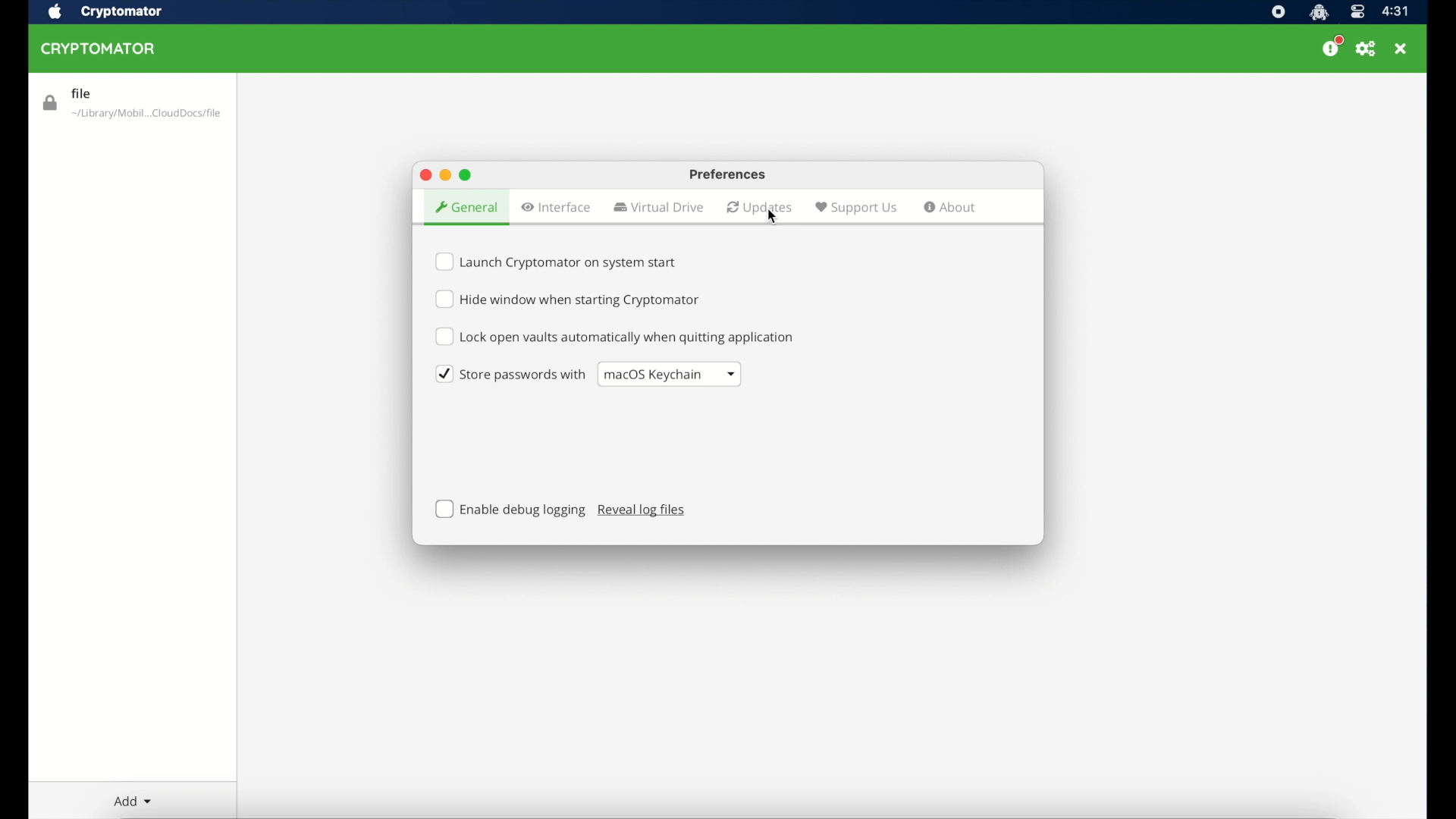  I want to click on reveal log files, so click(642, 510).